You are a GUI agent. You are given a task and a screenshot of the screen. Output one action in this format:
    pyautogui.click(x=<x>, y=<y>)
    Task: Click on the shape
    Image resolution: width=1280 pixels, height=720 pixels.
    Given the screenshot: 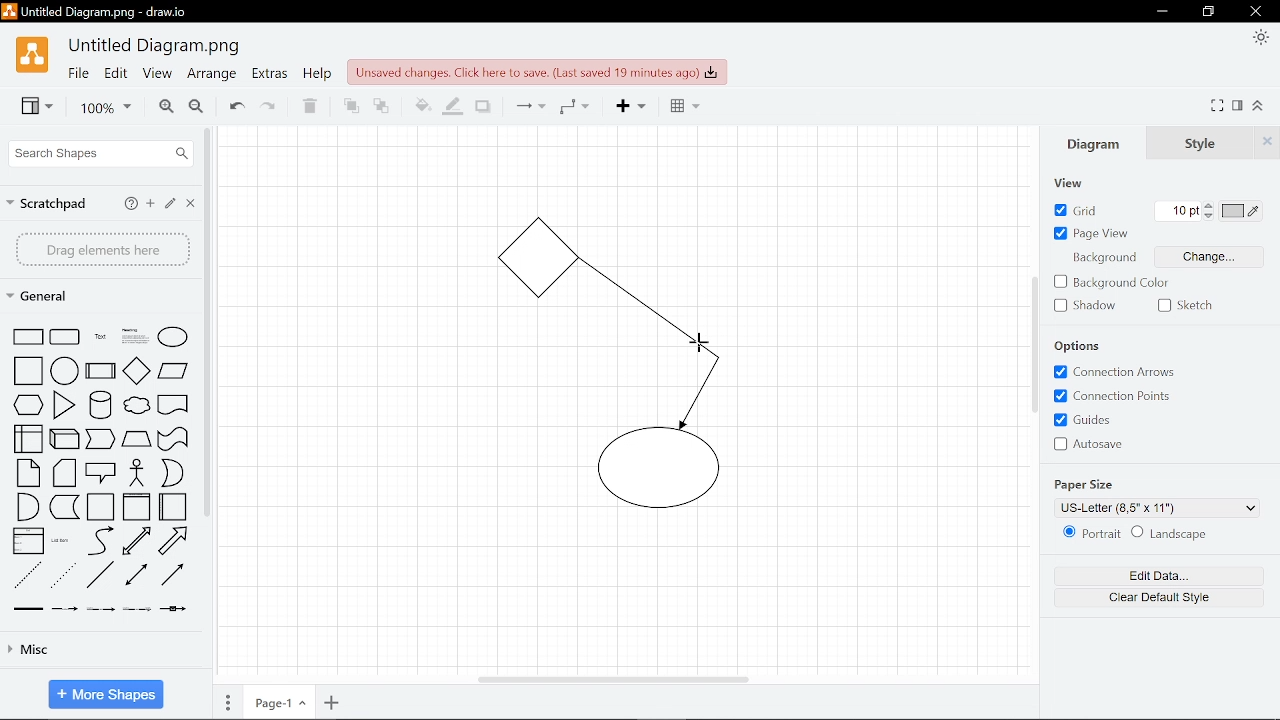 What is the action you would take?
    pyautogui.click(x=179, y=541)
    